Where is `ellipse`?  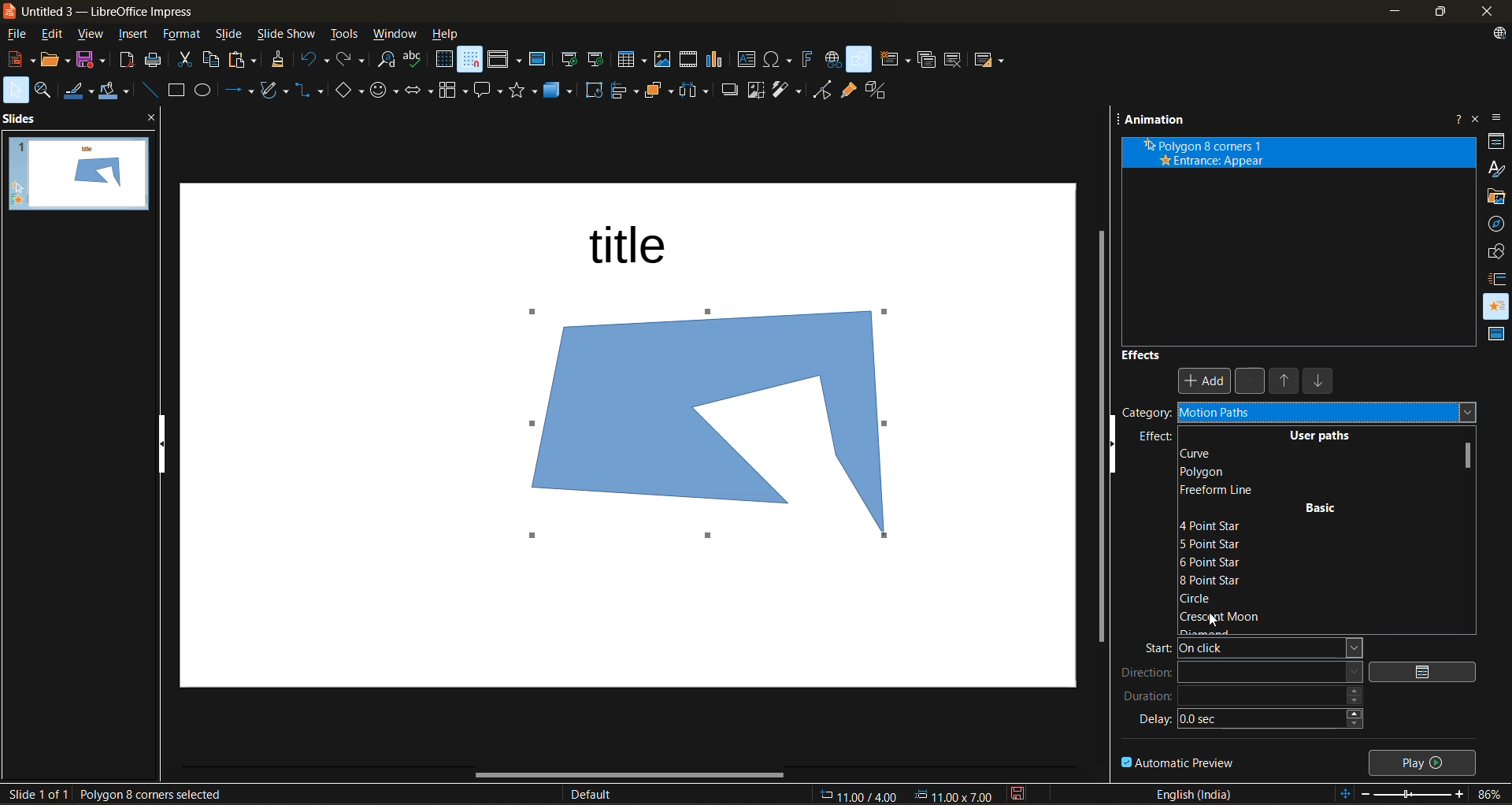 ellipse is located at coordinates (206, 91).